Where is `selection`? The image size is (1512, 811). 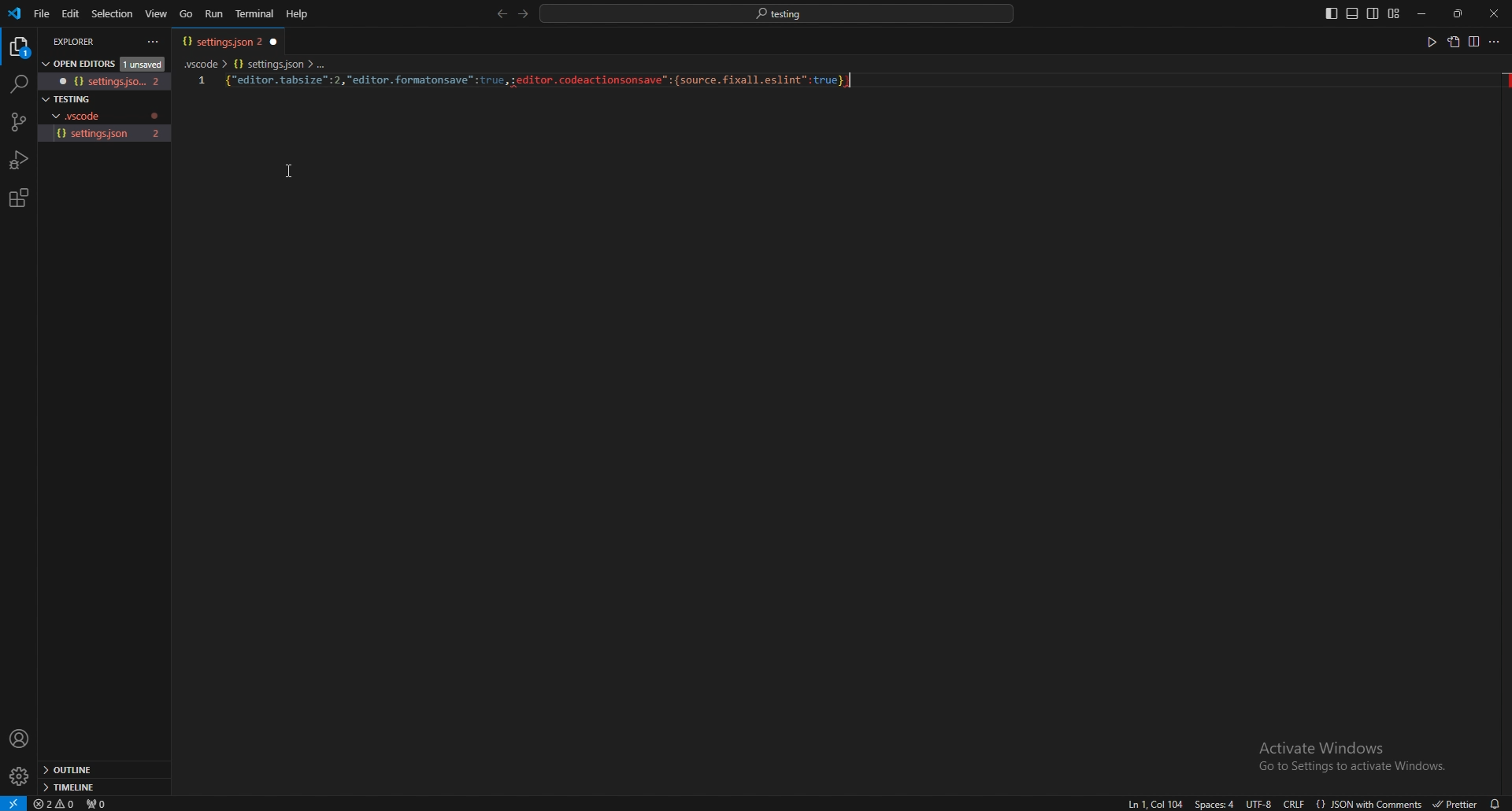 selection is located at coordinates (112, 13).